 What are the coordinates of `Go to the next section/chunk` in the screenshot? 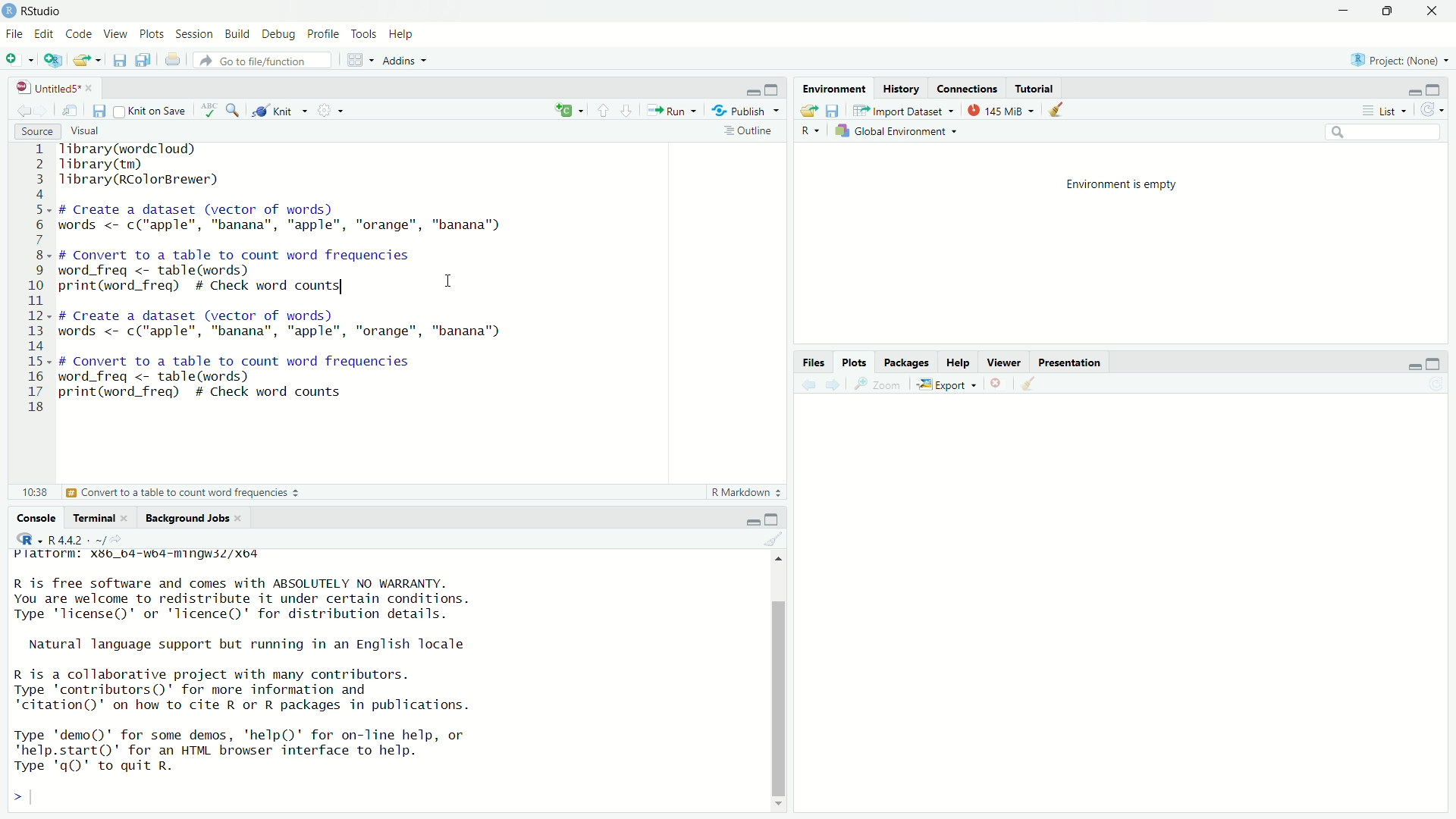 It's located at (629, 111).